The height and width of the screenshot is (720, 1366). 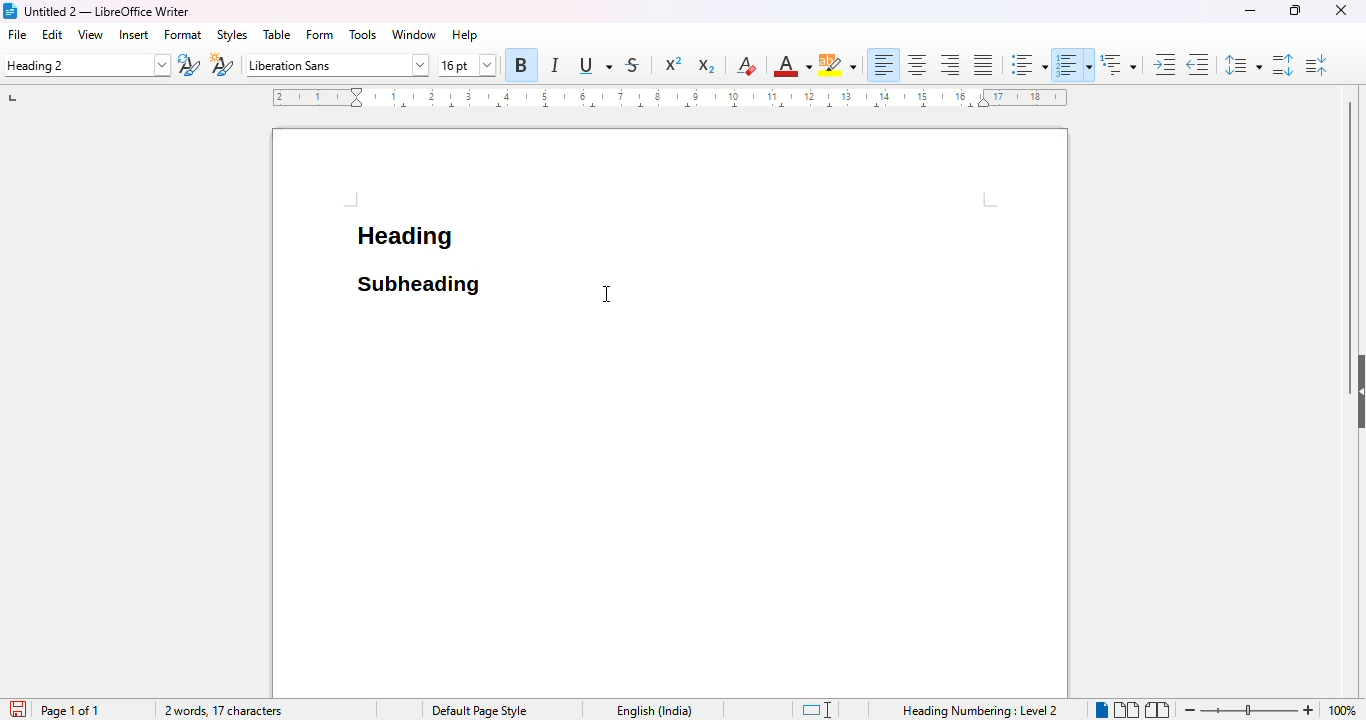 What do you see at coordinates (980, 710) in the screenshot?
I see `Heading Numbering Level 2` at bounding box center [980, 710].